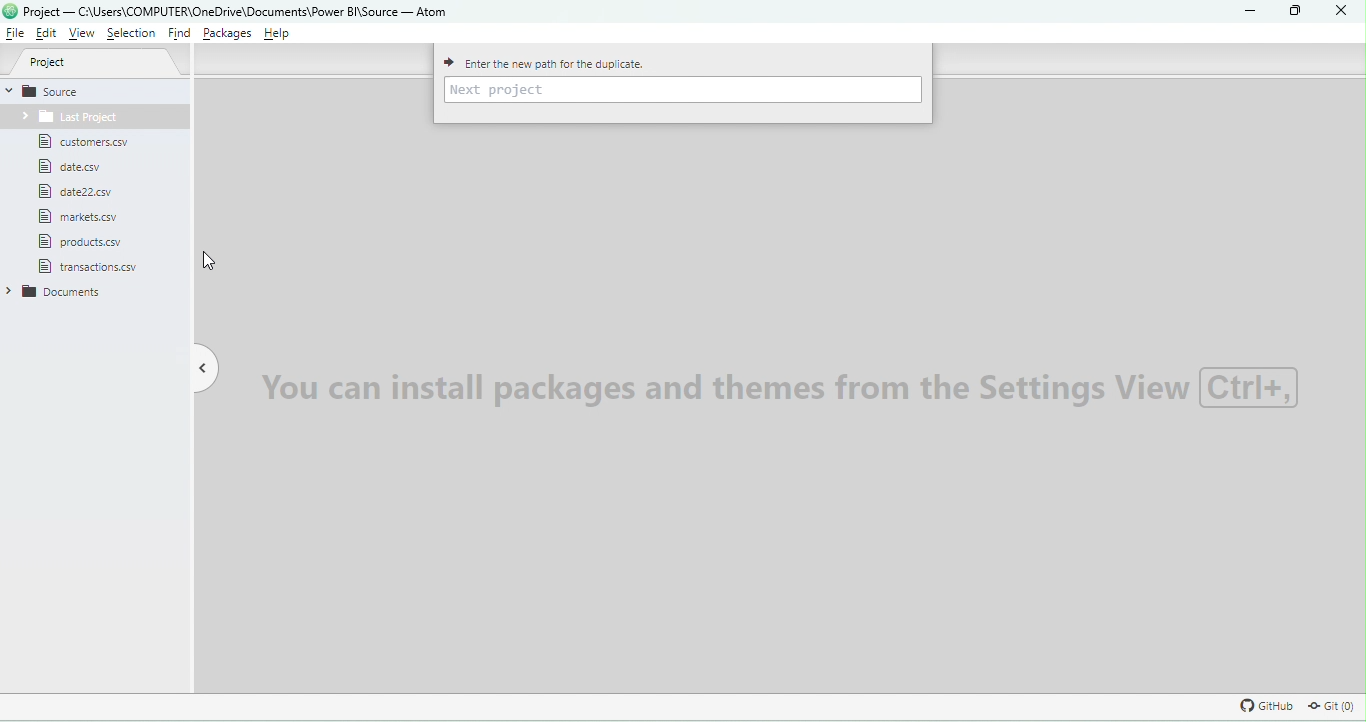 This screenshot has width=1366, height=722. Describe the element at coordinates (211, 259) in the screenshot. I see `cursor` at that location.